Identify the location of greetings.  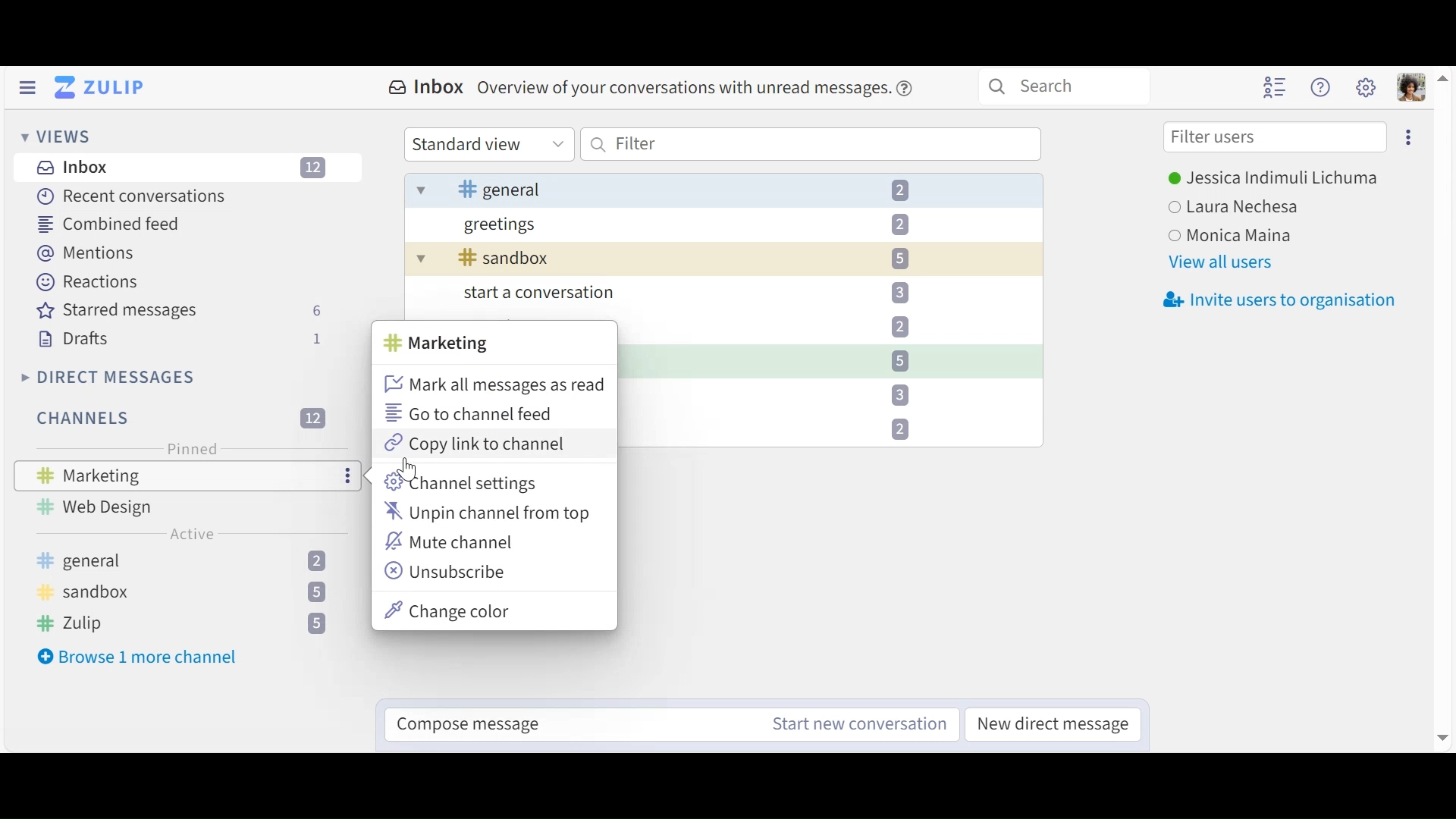
(704, 228).